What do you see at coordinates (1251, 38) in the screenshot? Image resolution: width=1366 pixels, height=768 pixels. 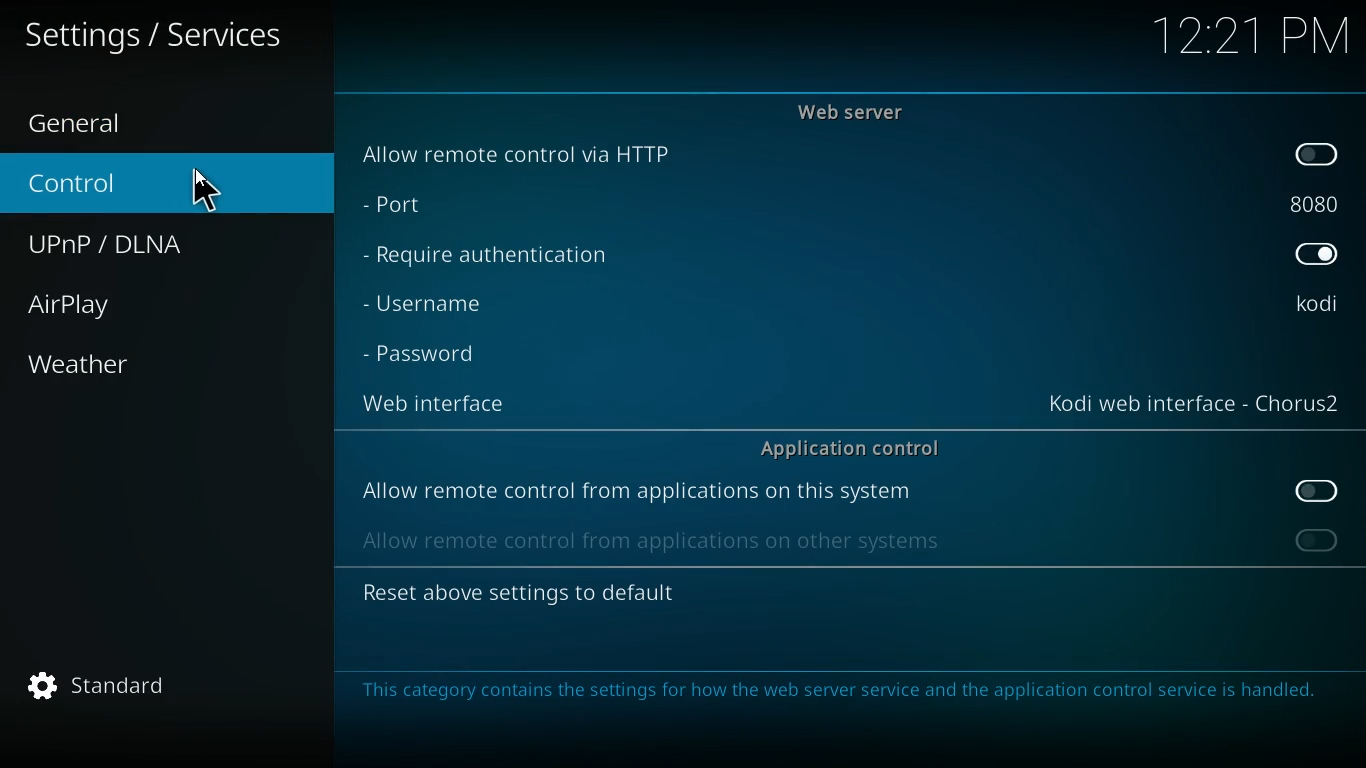 I see `time` at bounding box center [1251, 38].